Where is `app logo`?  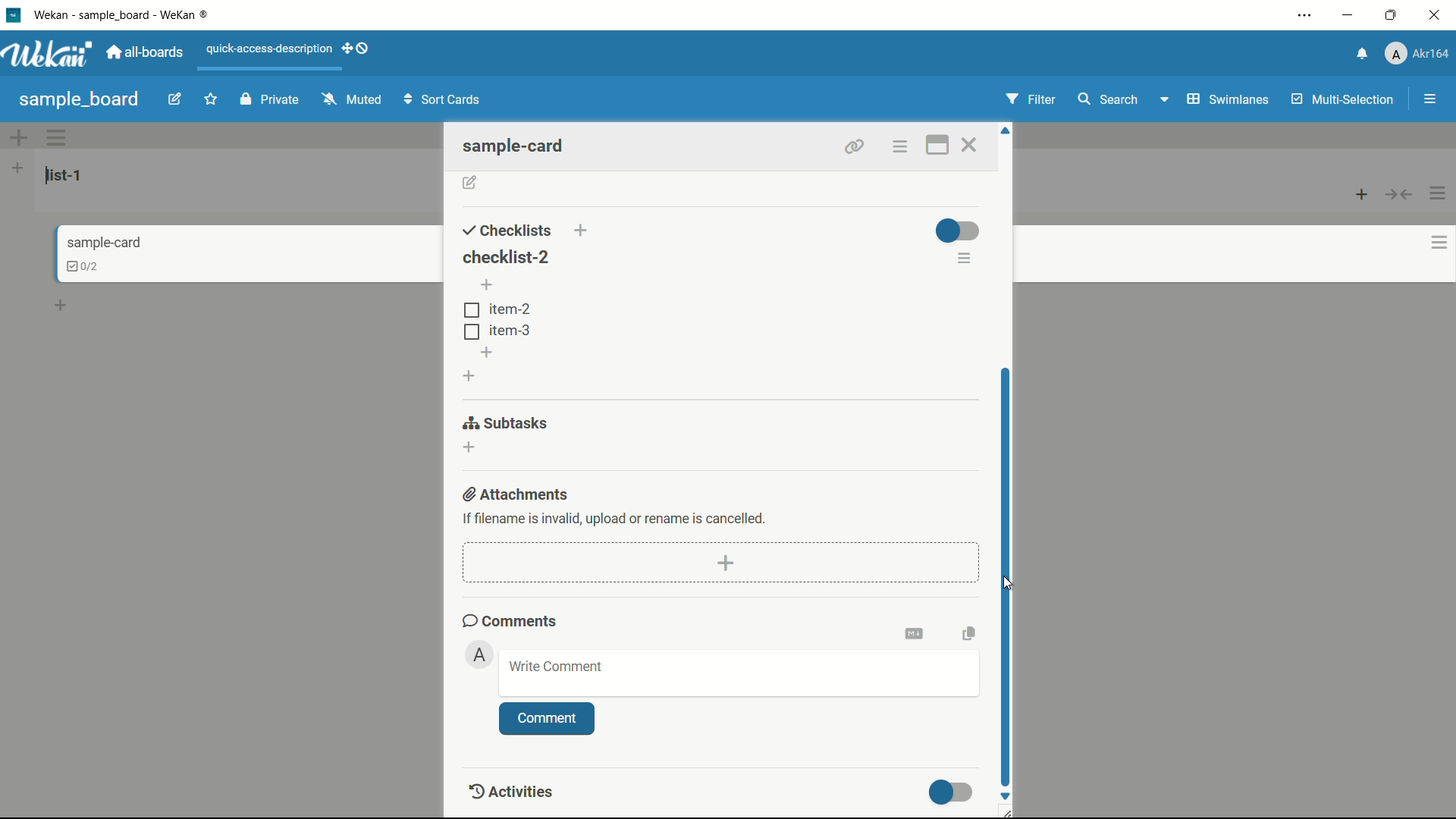 app logo is located at coordinates (52, 55).